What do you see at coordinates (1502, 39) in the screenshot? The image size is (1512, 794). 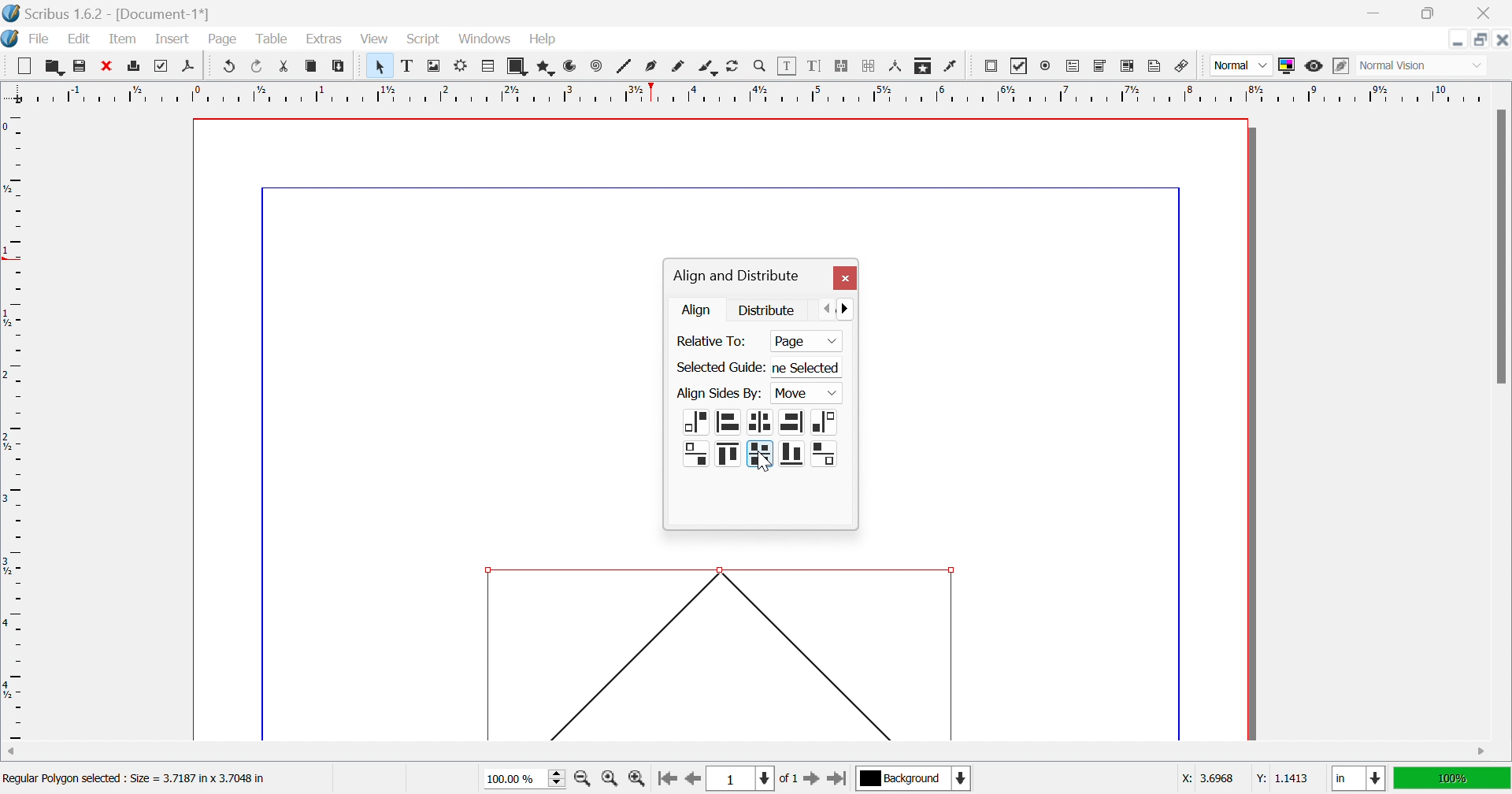 I see `Close` at bounding box center [1502, 39].